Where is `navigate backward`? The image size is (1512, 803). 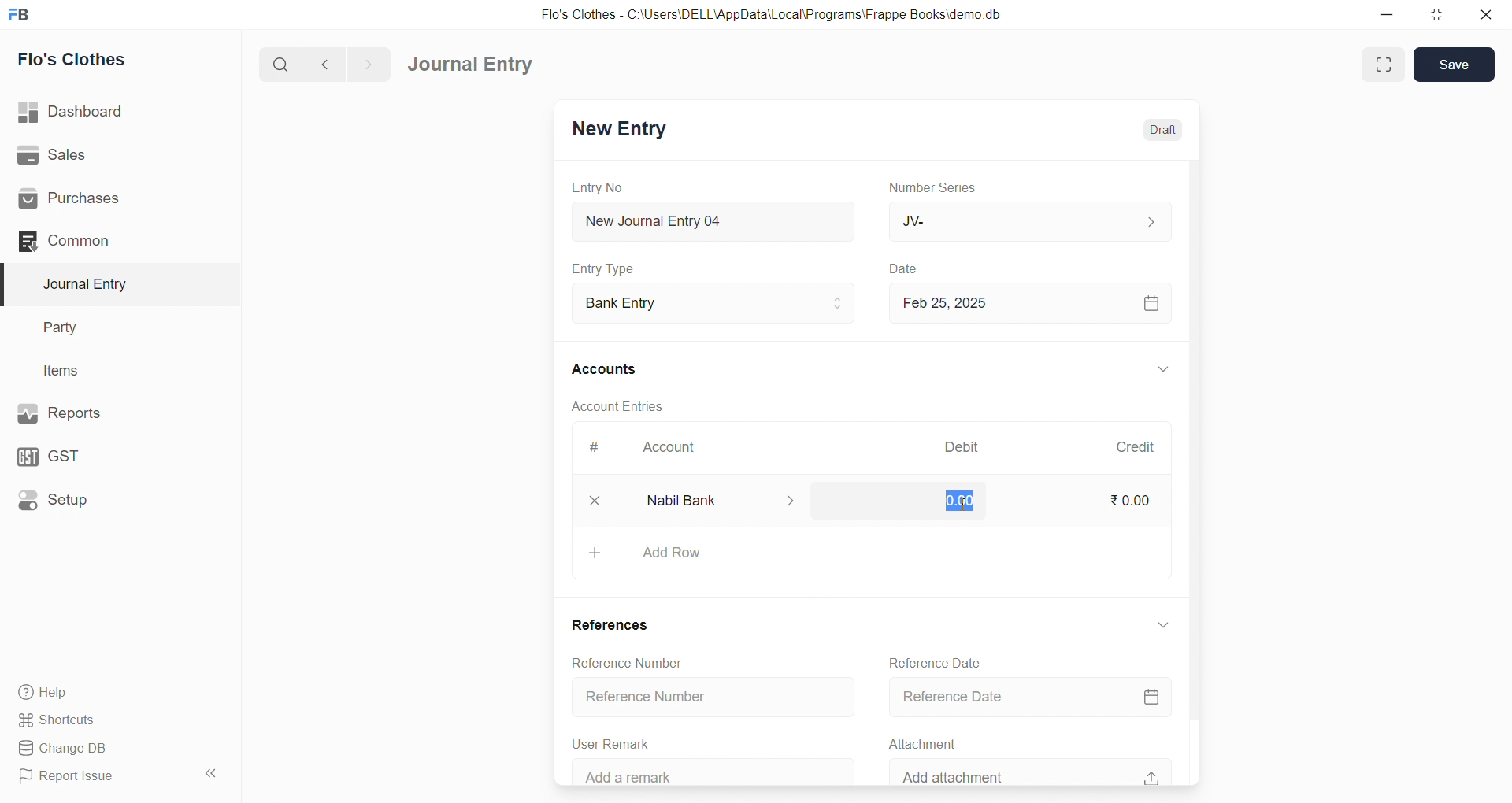
navigate backward is located at coordinates (332, 62).